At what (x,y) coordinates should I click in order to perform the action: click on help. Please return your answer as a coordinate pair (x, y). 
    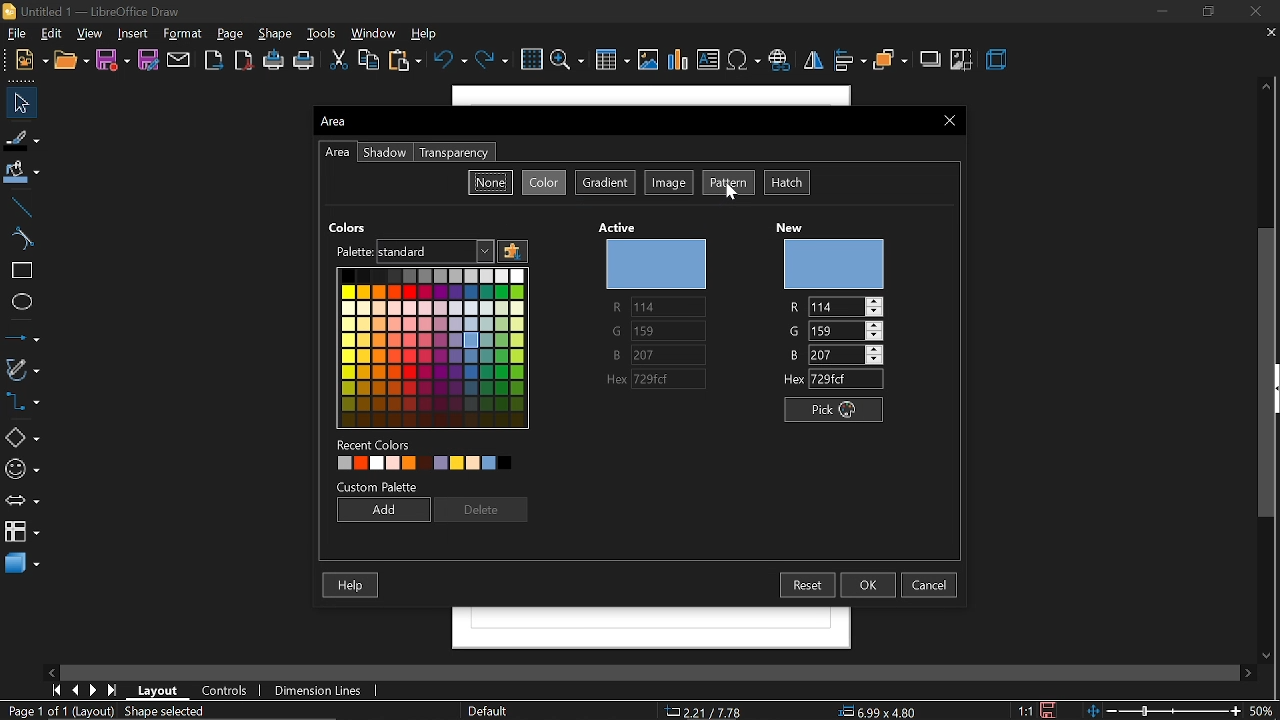
    Looking at the image, I should click on (428, 34).